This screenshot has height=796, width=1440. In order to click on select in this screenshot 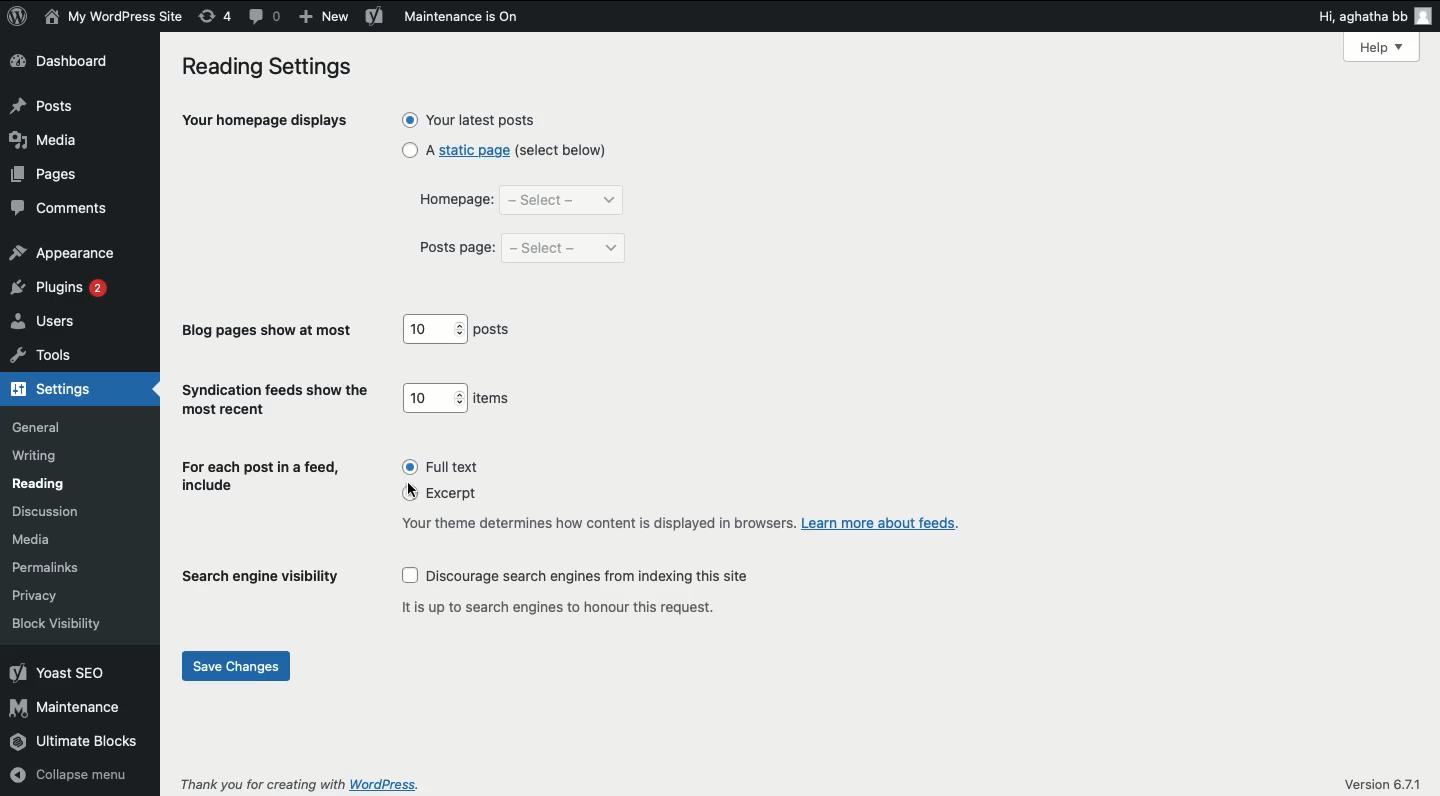, I will do `click(564, 200)`.